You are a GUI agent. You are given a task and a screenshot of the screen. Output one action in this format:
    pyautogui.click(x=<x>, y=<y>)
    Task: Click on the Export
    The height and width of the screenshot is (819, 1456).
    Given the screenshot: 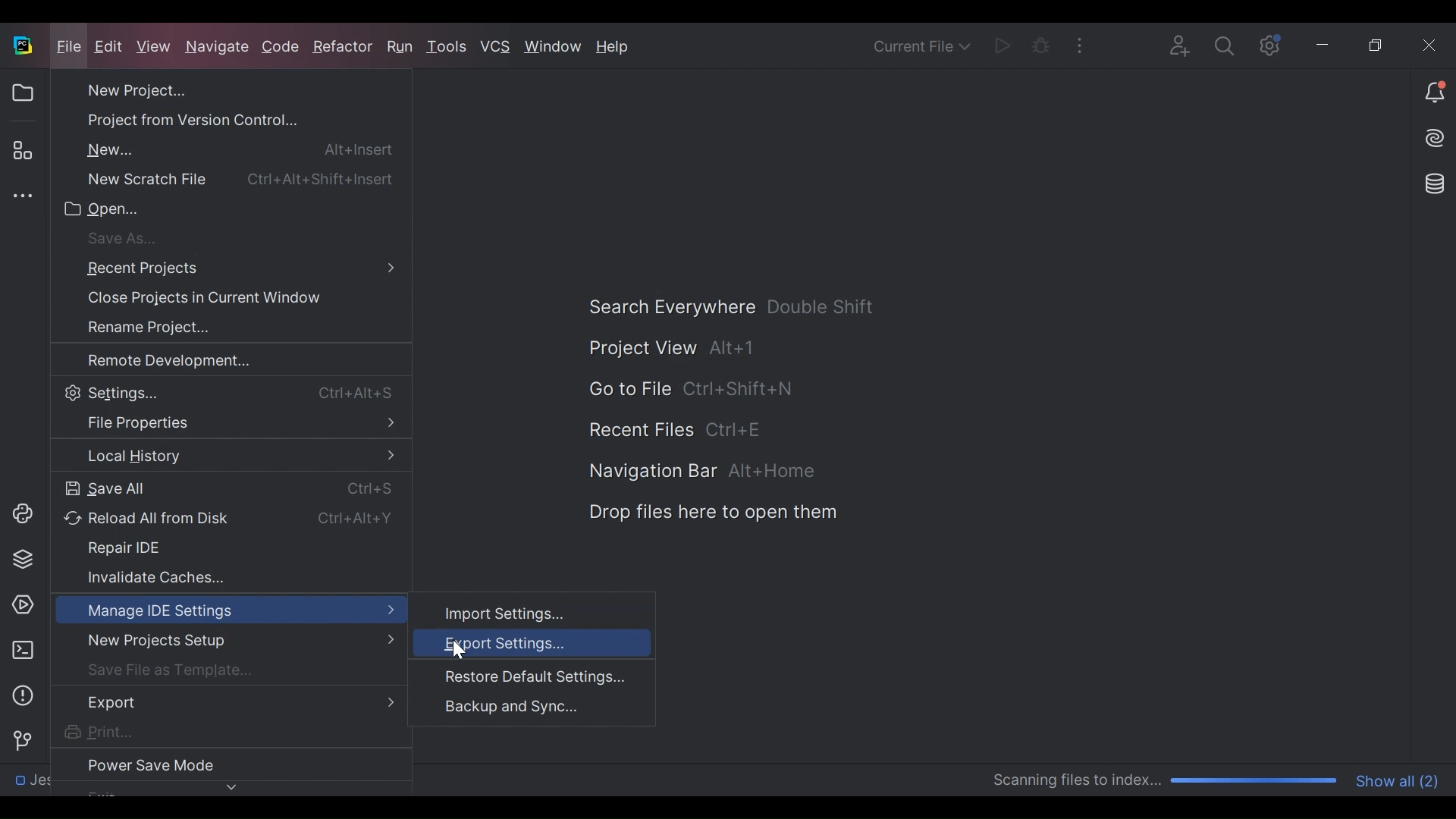 What is the action you would take?
    pyautogui.click(x=223, y=703)
    